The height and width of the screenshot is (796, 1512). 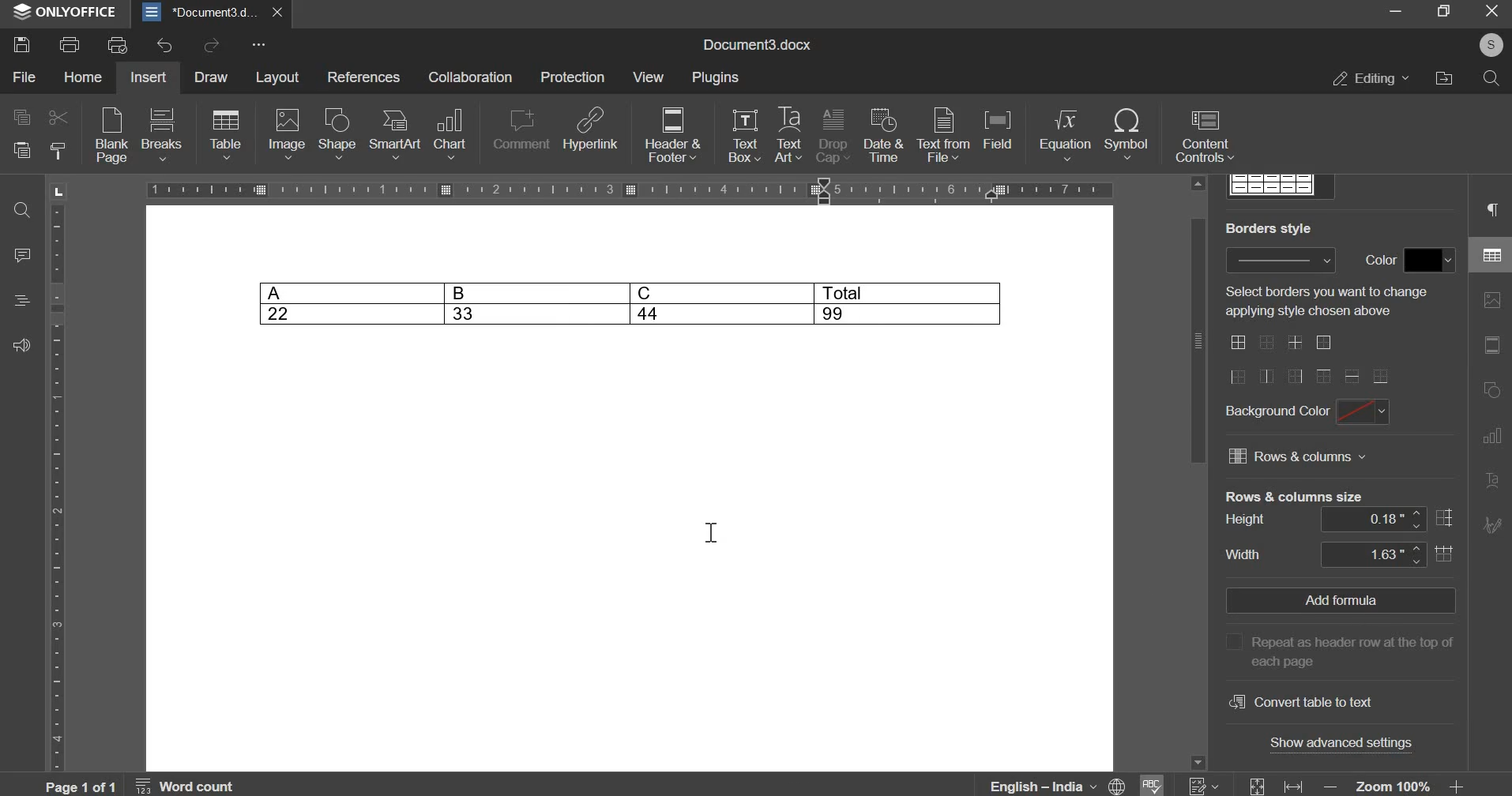 What do you see at coordinates (78, 786) in the screenshot?
I see `active page out of total pages` at bounding box center [78, 786].